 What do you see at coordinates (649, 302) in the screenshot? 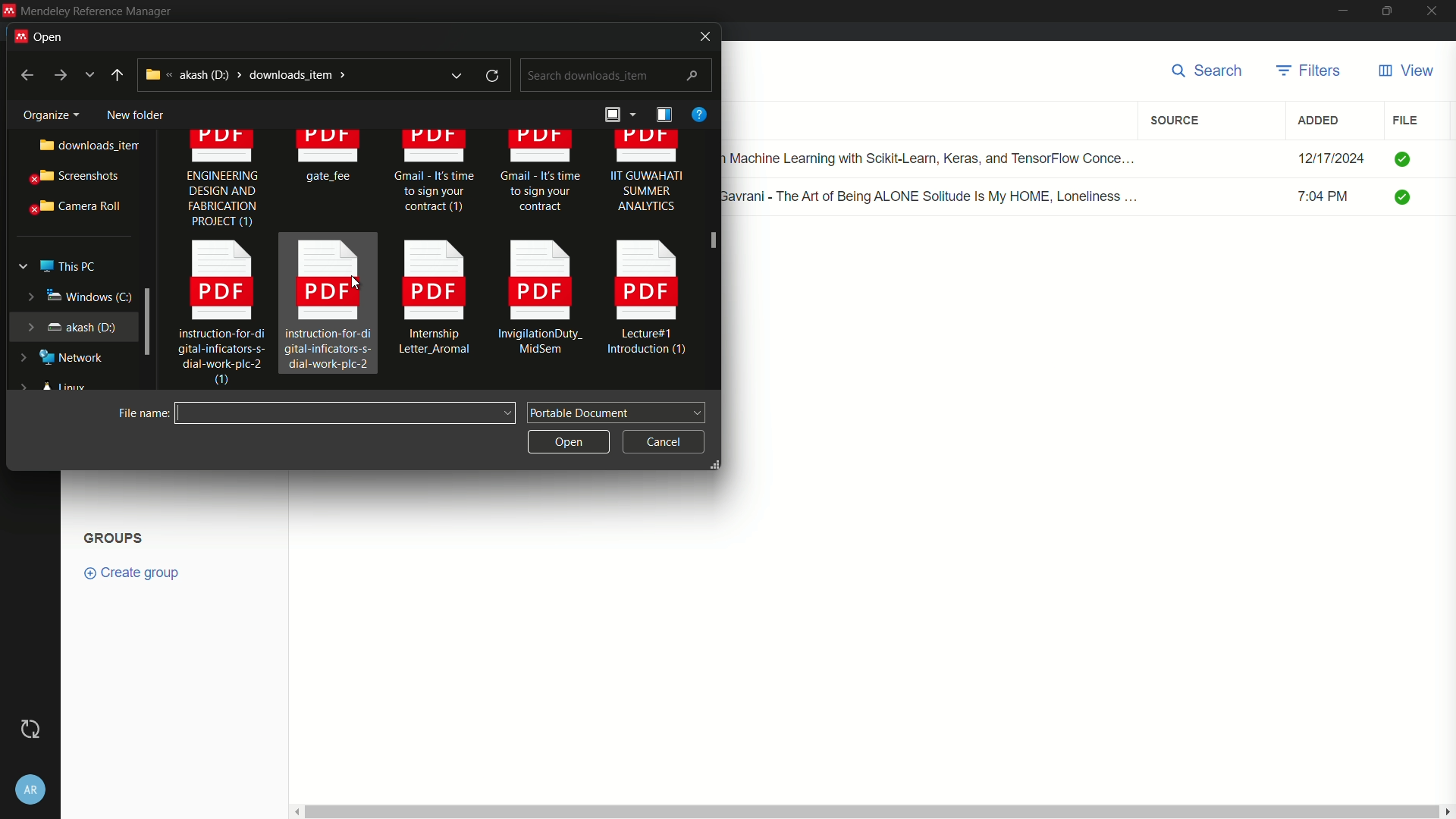
I see `Lecture#1
Introduction (1)` at bounding box center [649, 302].